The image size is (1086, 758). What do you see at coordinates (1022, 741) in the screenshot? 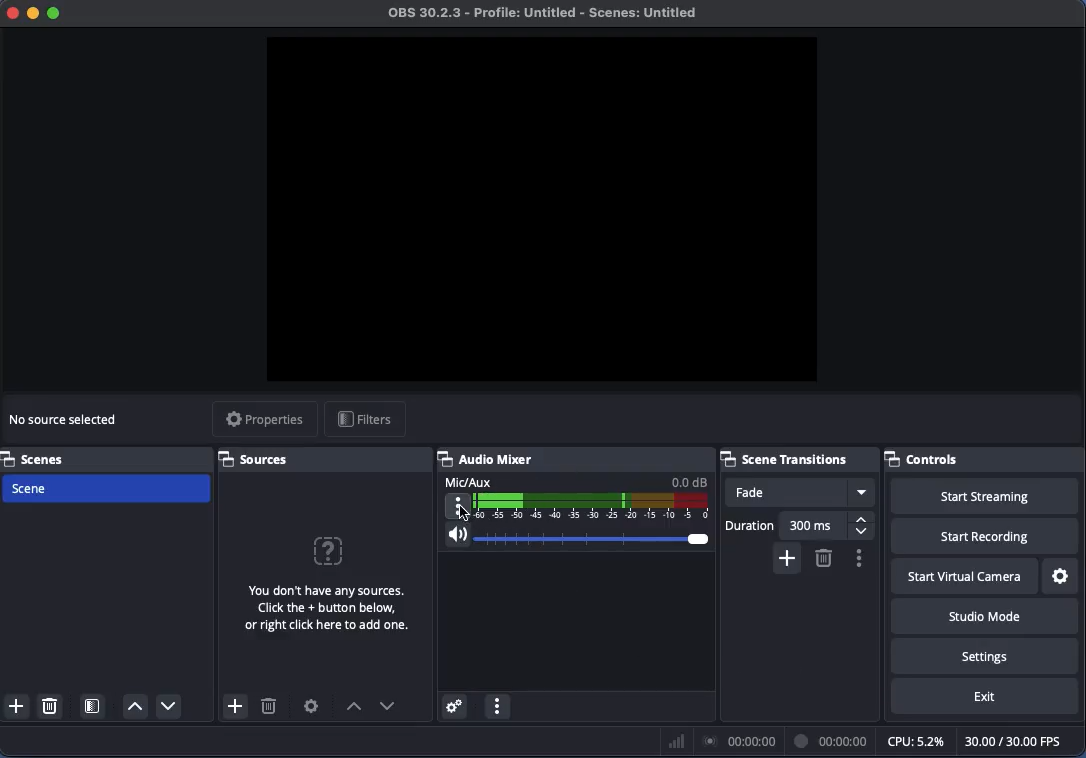
I see `FPS` at bounding box center [1022, 741].